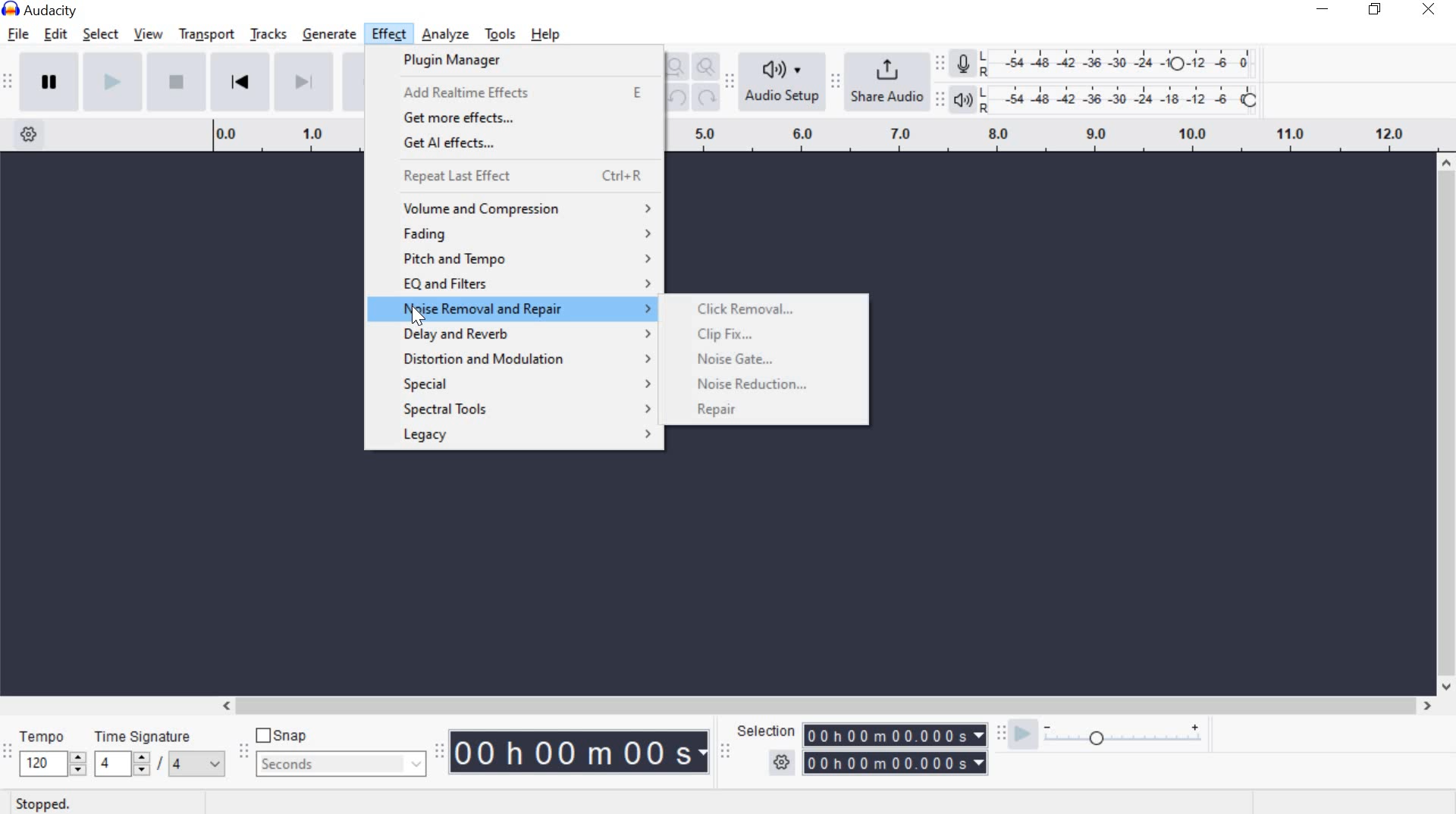  Describe the element at coordinates (678, 97) in the screenshot. I see `undo` at that location.